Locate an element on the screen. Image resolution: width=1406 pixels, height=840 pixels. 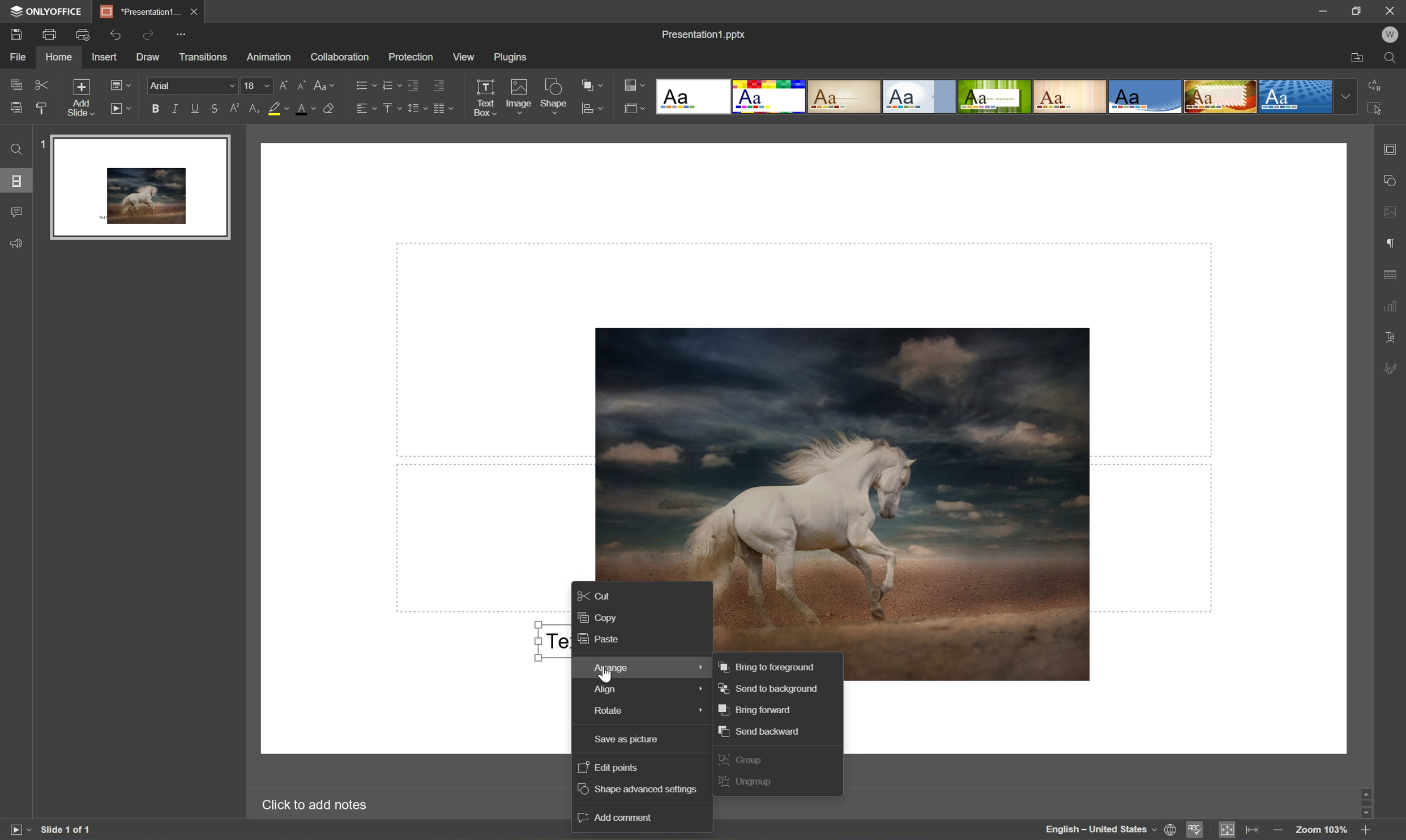
Safari is located at coordinates (1221, 97).